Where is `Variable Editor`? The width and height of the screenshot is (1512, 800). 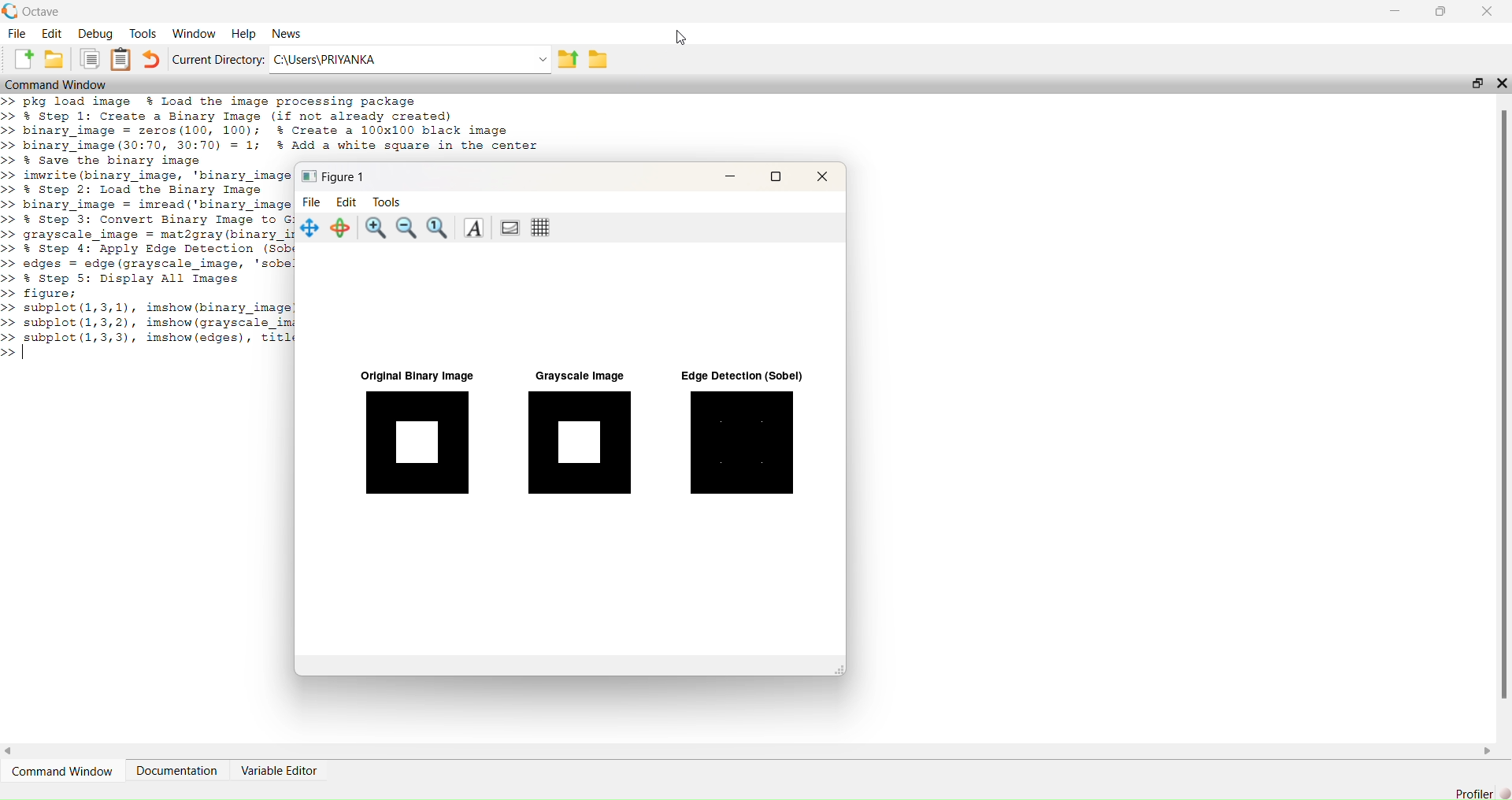 Variable Editor is located at coordinates (281, 770).